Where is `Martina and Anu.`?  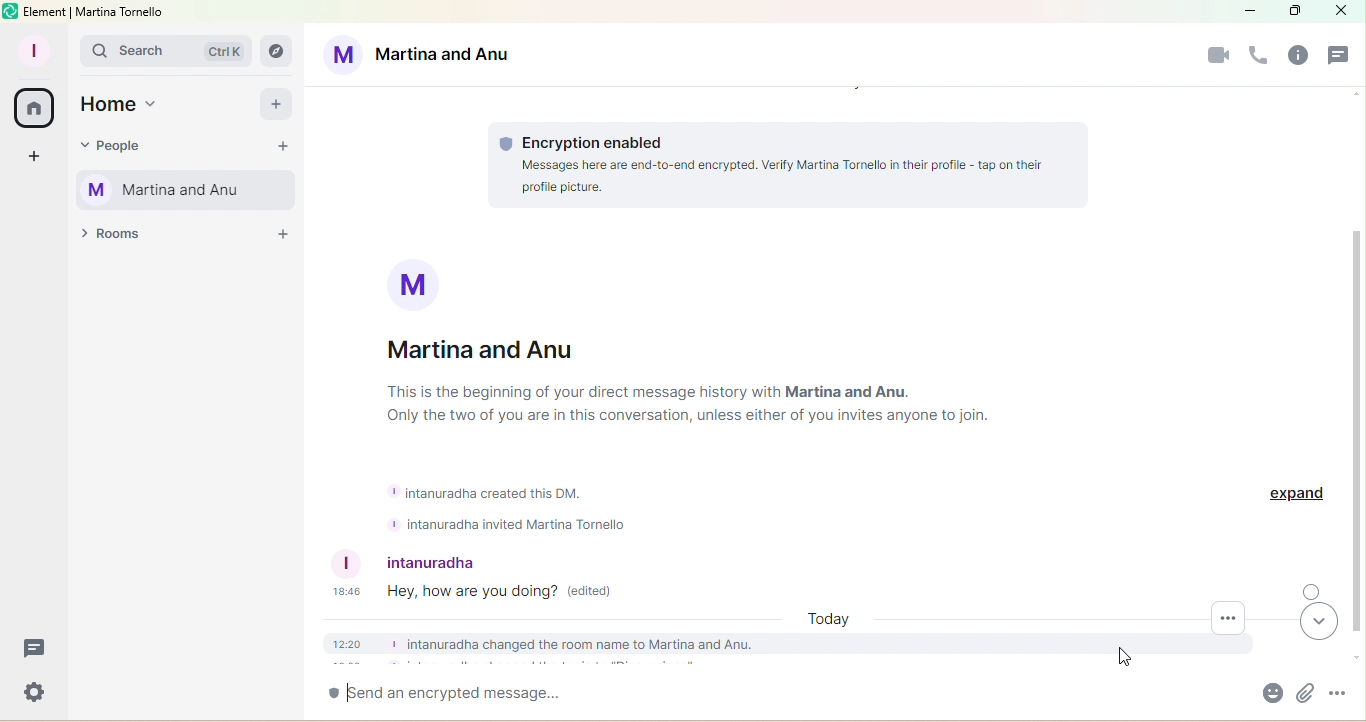
Martina and Anu. is located at coordinates (849, 393).